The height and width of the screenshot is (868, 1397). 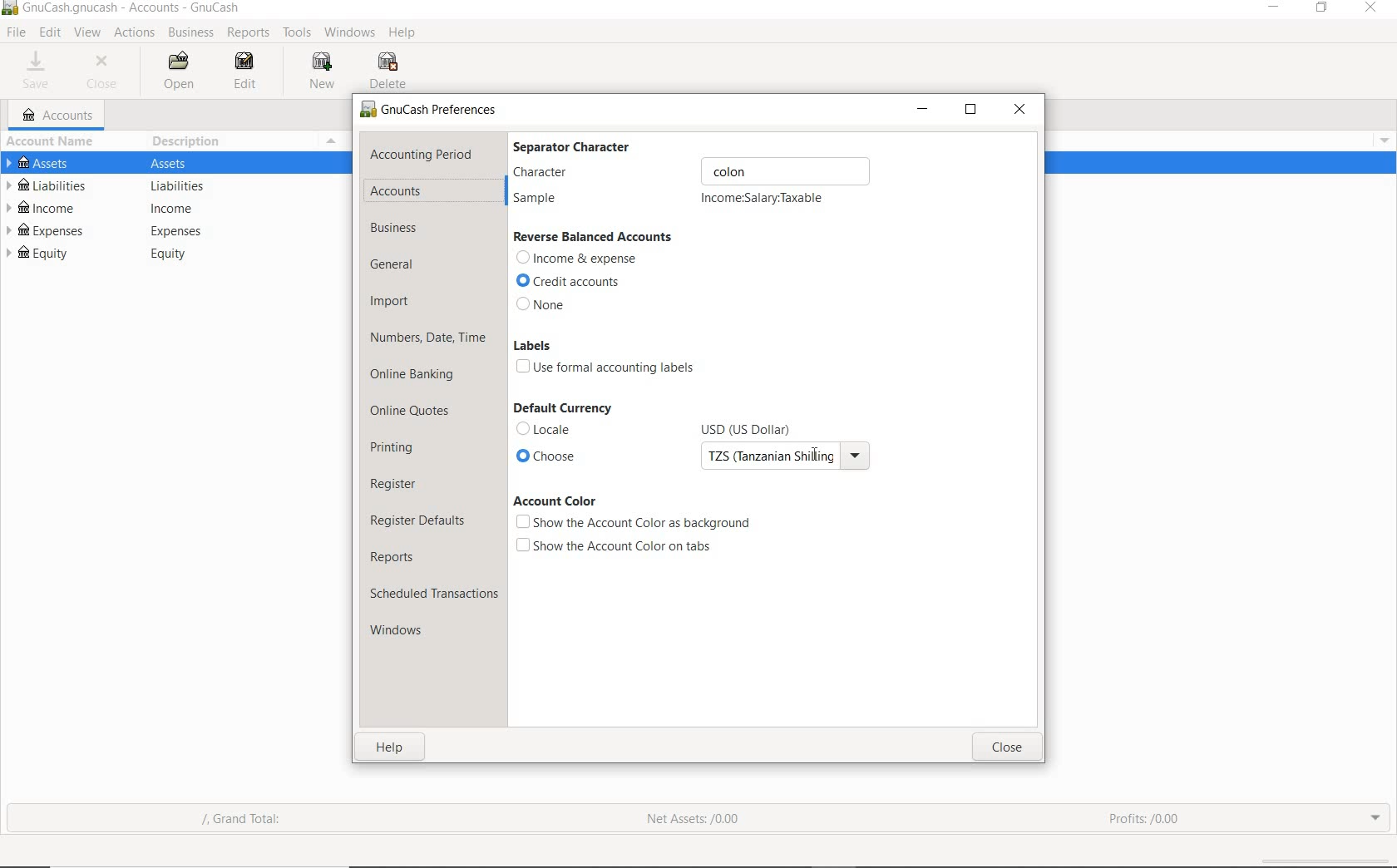 What do you see at coordinates (548, 429) in the screenshot?
I see `locale` at bounding box center [548, 429].